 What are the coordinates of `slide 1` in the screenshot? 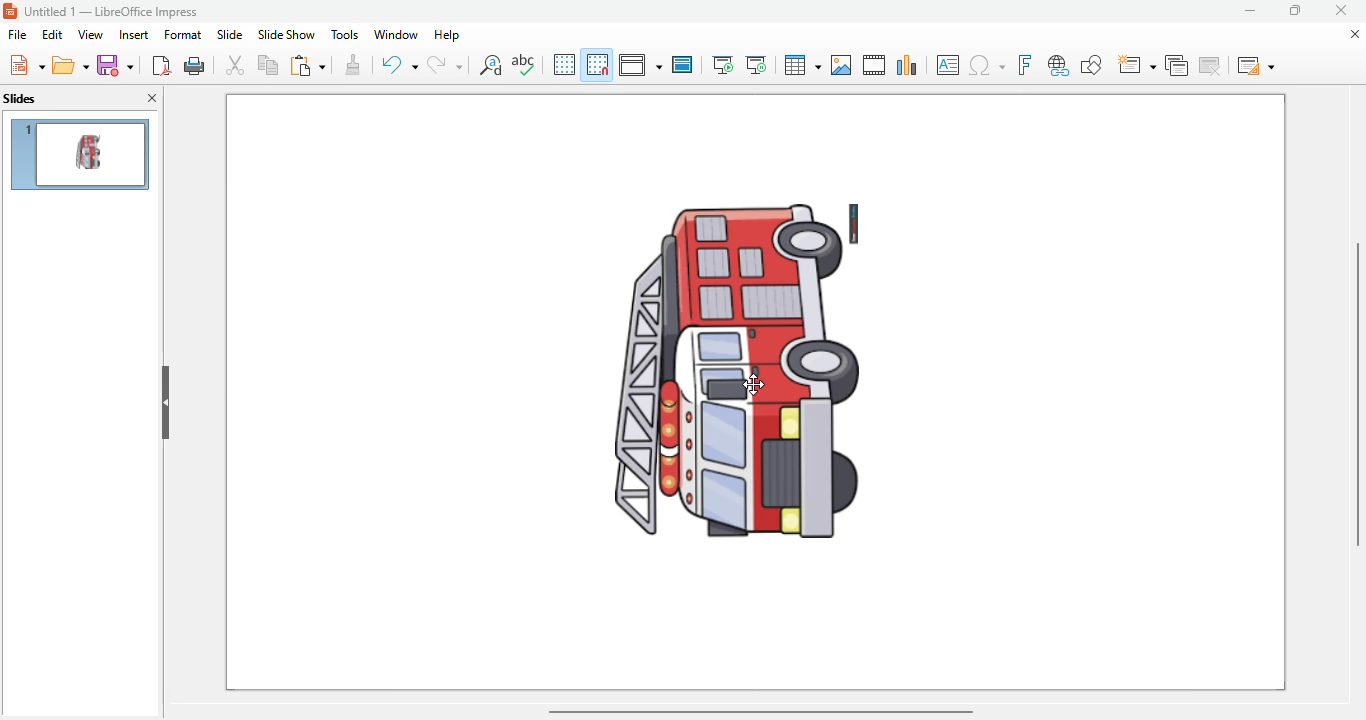 It's located at (80, 154).